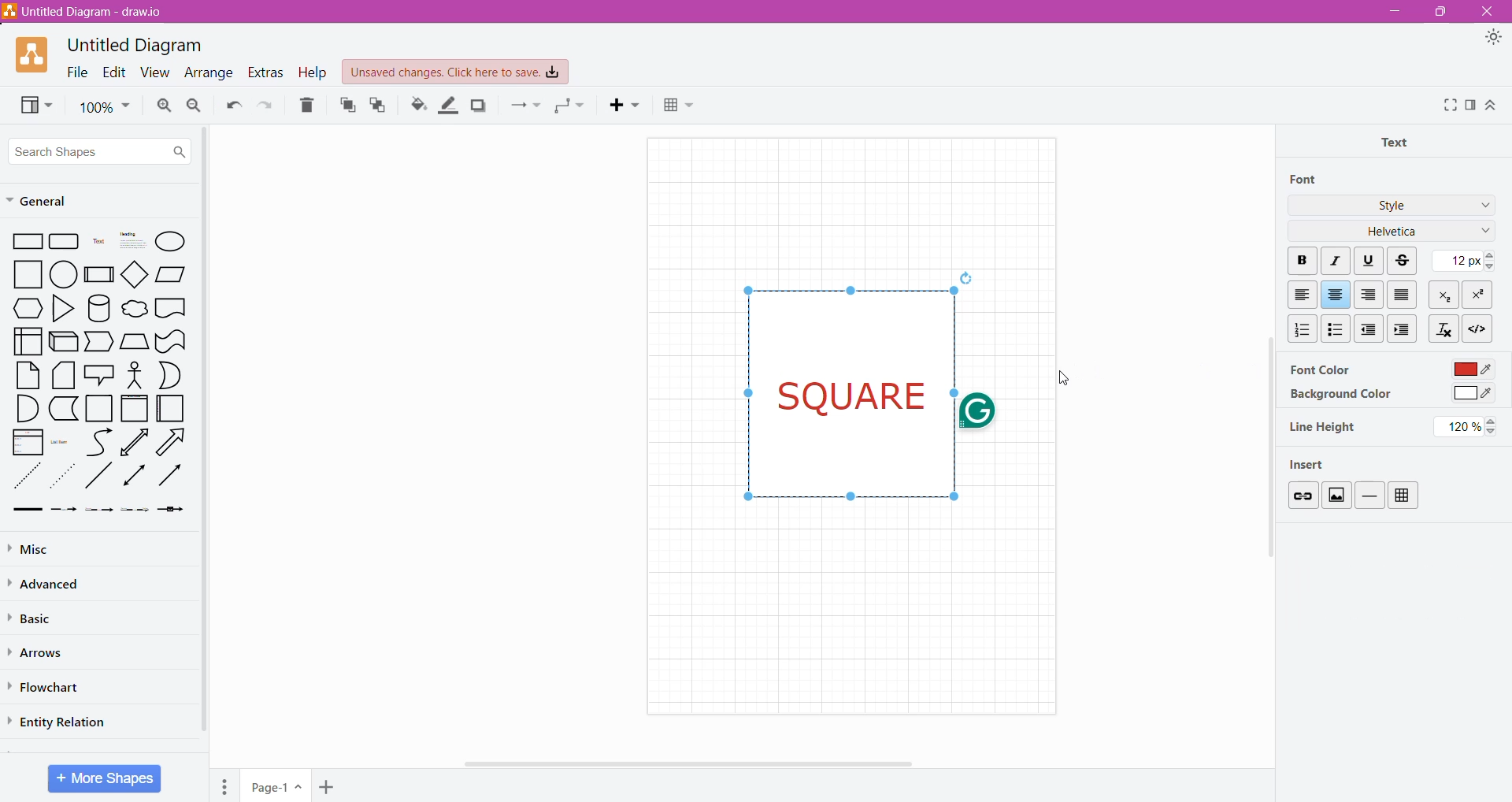 This screenshot has height=802, width=1512. Describe the element at coordinates (100, 475) in the screenshot. I see `diagonal line` at that location.